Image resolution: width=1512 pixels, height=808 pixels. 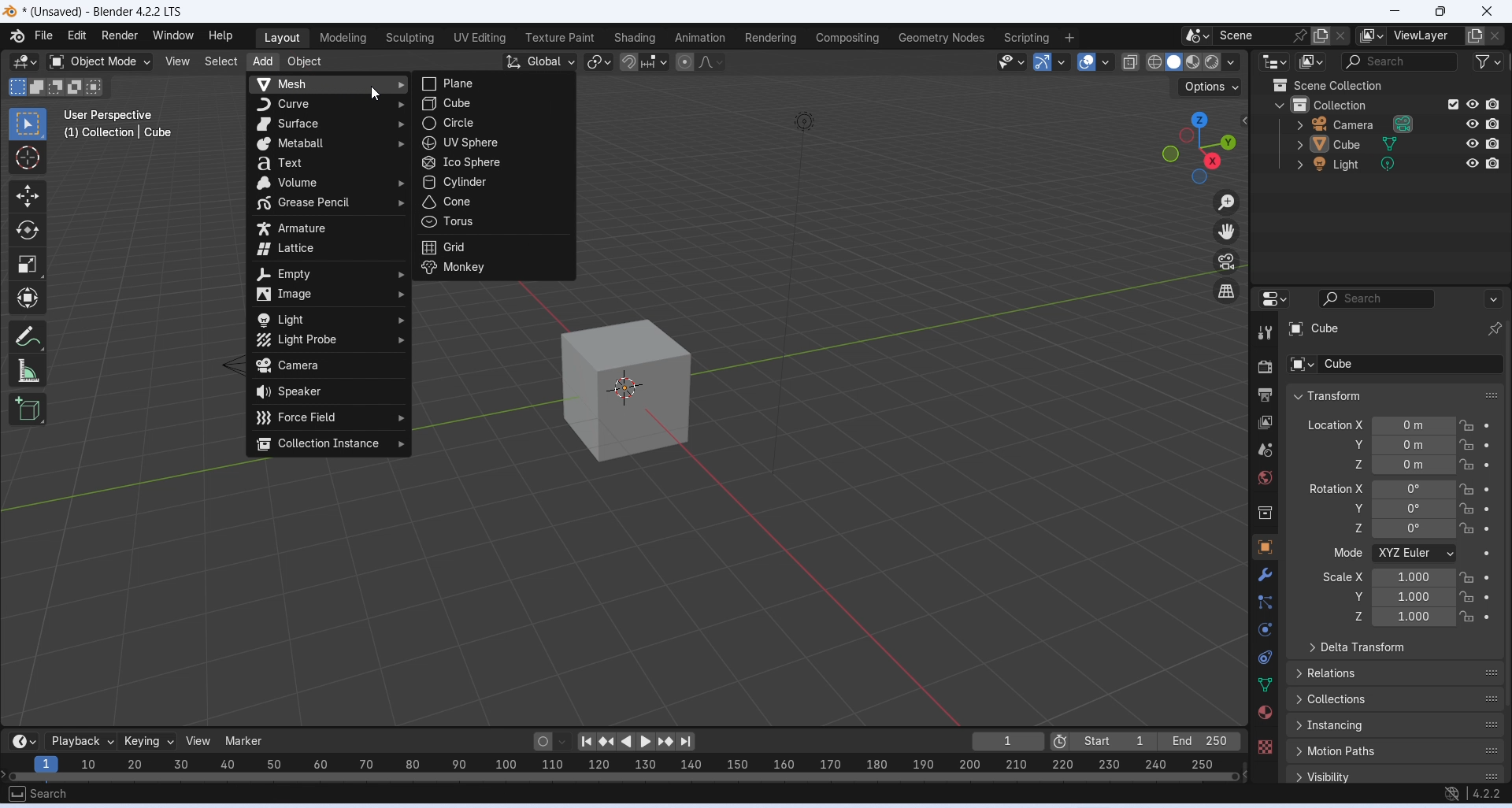 What do you see at coordinates (16, 793) in the screenshot?
I see `press space bar to search` at bounding box center [16, 793].